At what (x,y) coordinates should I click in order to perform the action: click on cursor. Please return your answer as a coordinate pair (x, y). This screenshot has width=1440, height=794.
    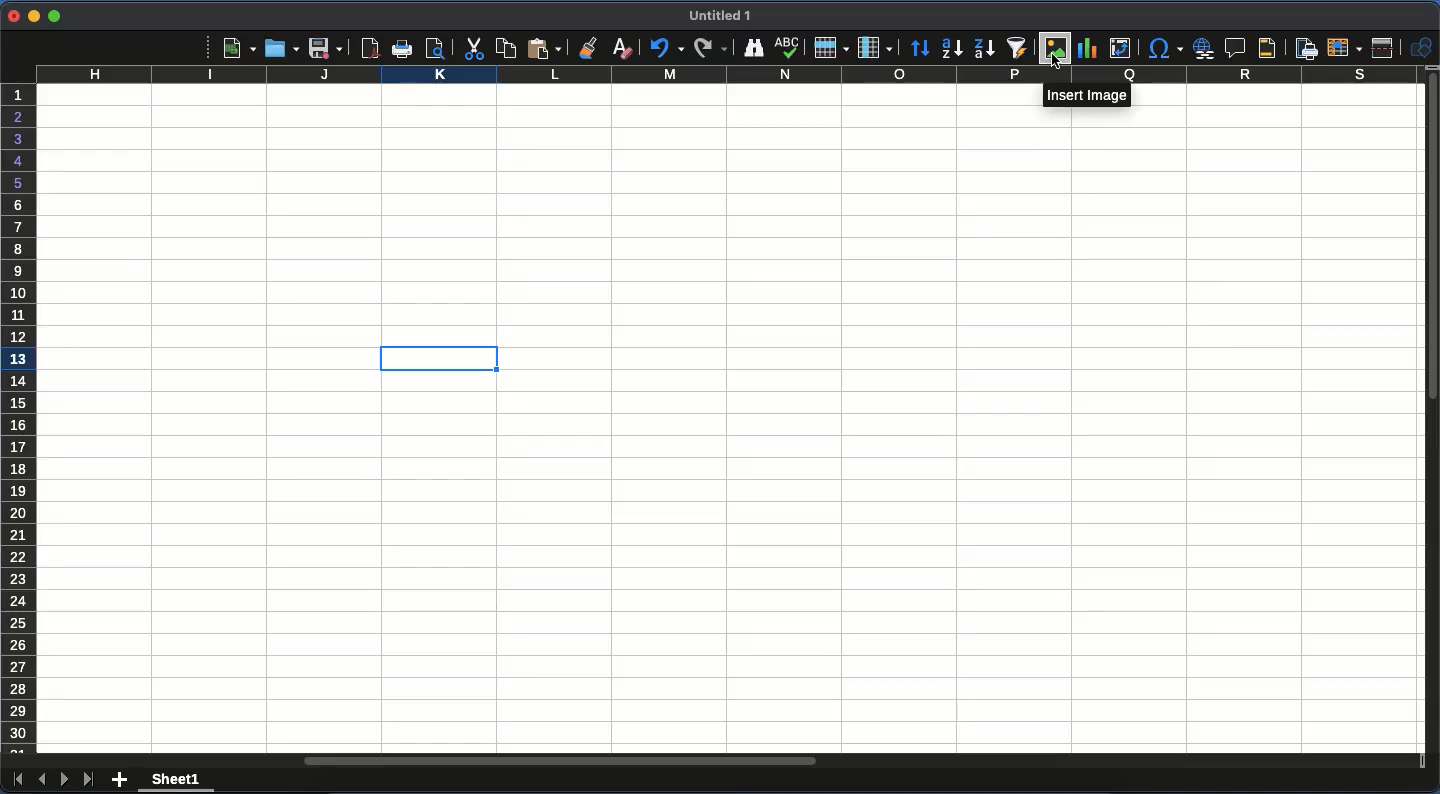
    Looking at the image, I should click on (1053, 62).